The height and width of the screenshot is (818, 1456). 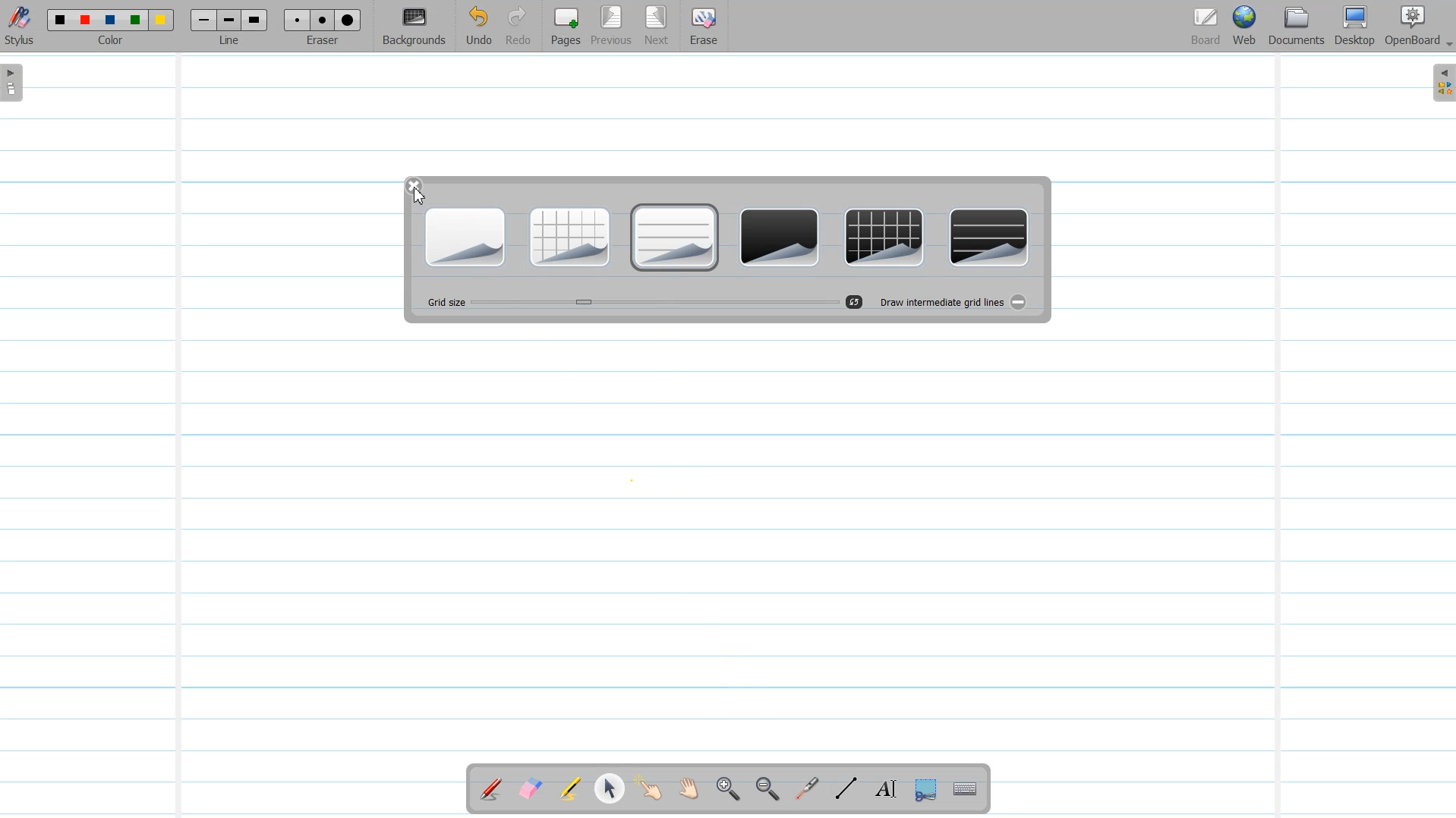 What do you see at coordinates (670, 250) in the screenshot?
I see `Cursor` at bounding box center [670, 250].